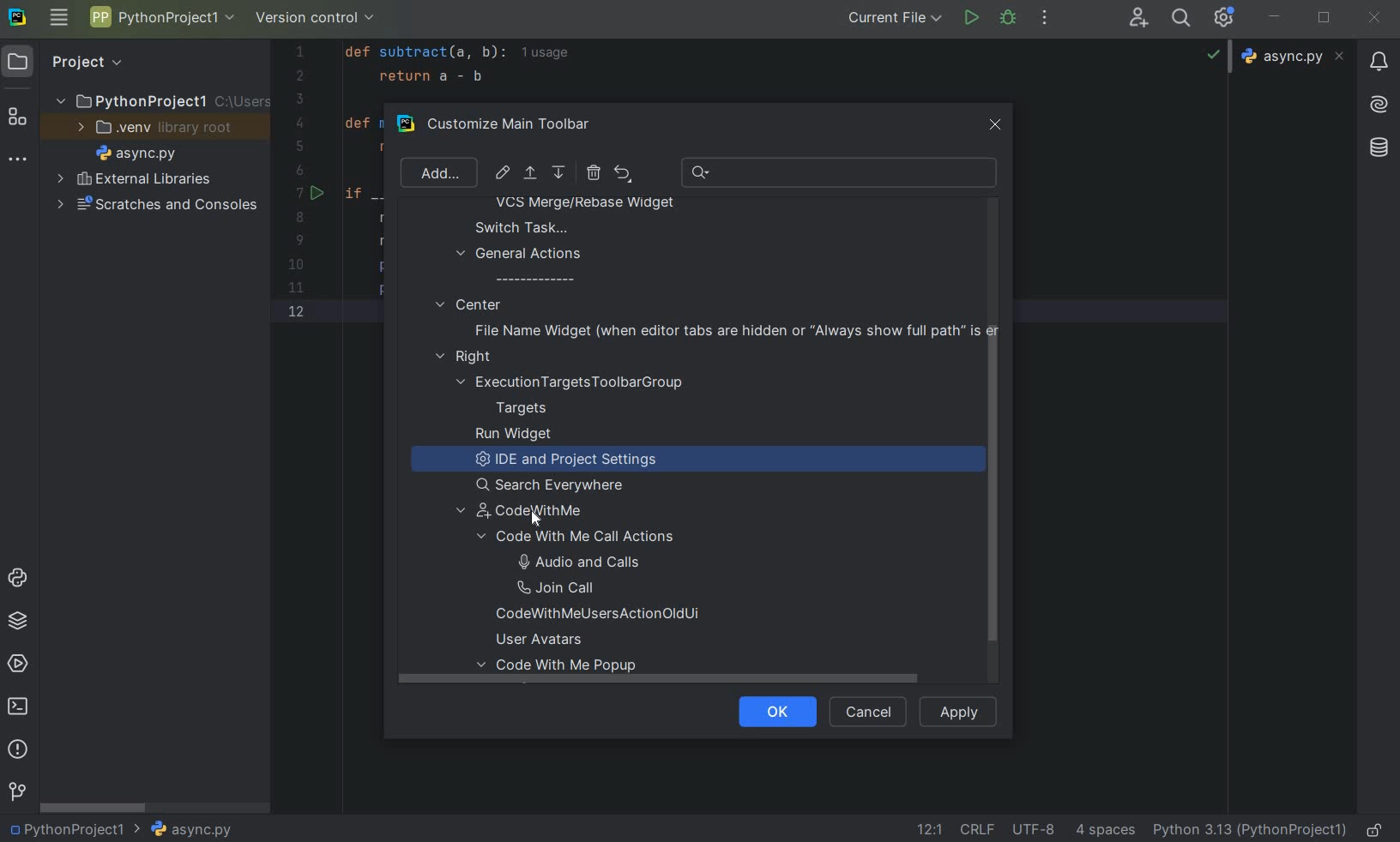  I want to click on search everywhere, so click(557, 485).